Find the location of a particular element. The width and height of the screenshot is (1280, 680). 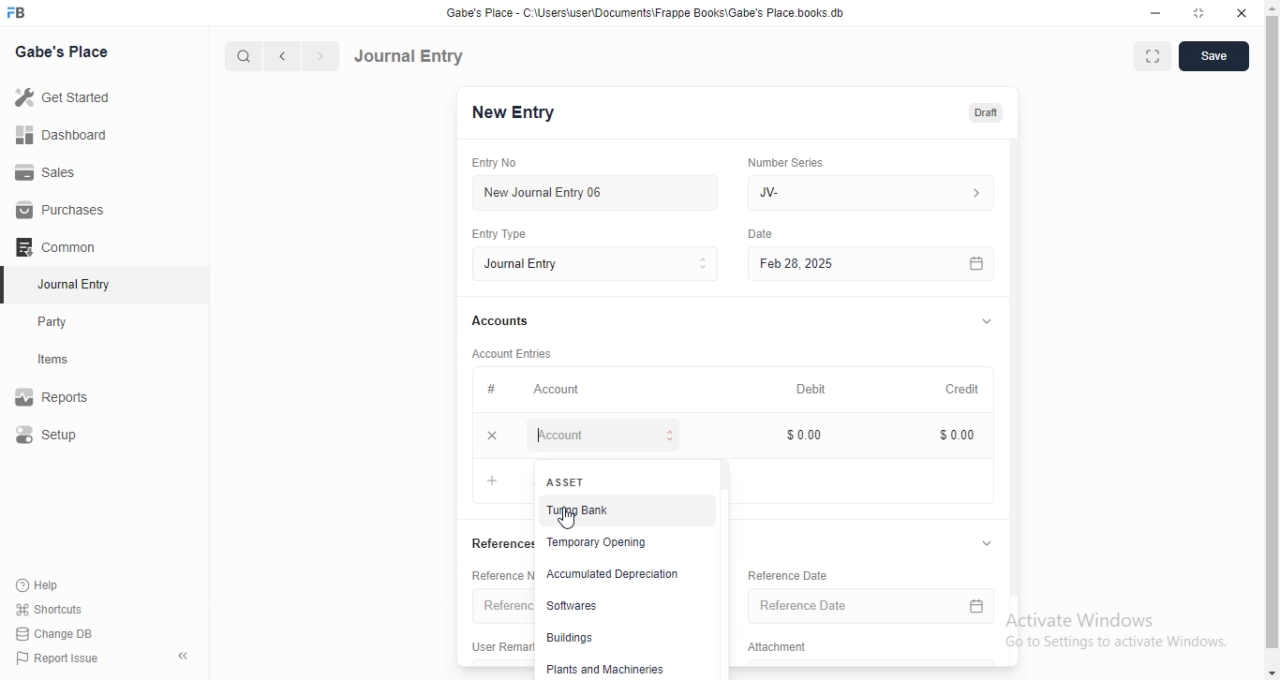

) Report Issue is located at coordinates (59, 659).